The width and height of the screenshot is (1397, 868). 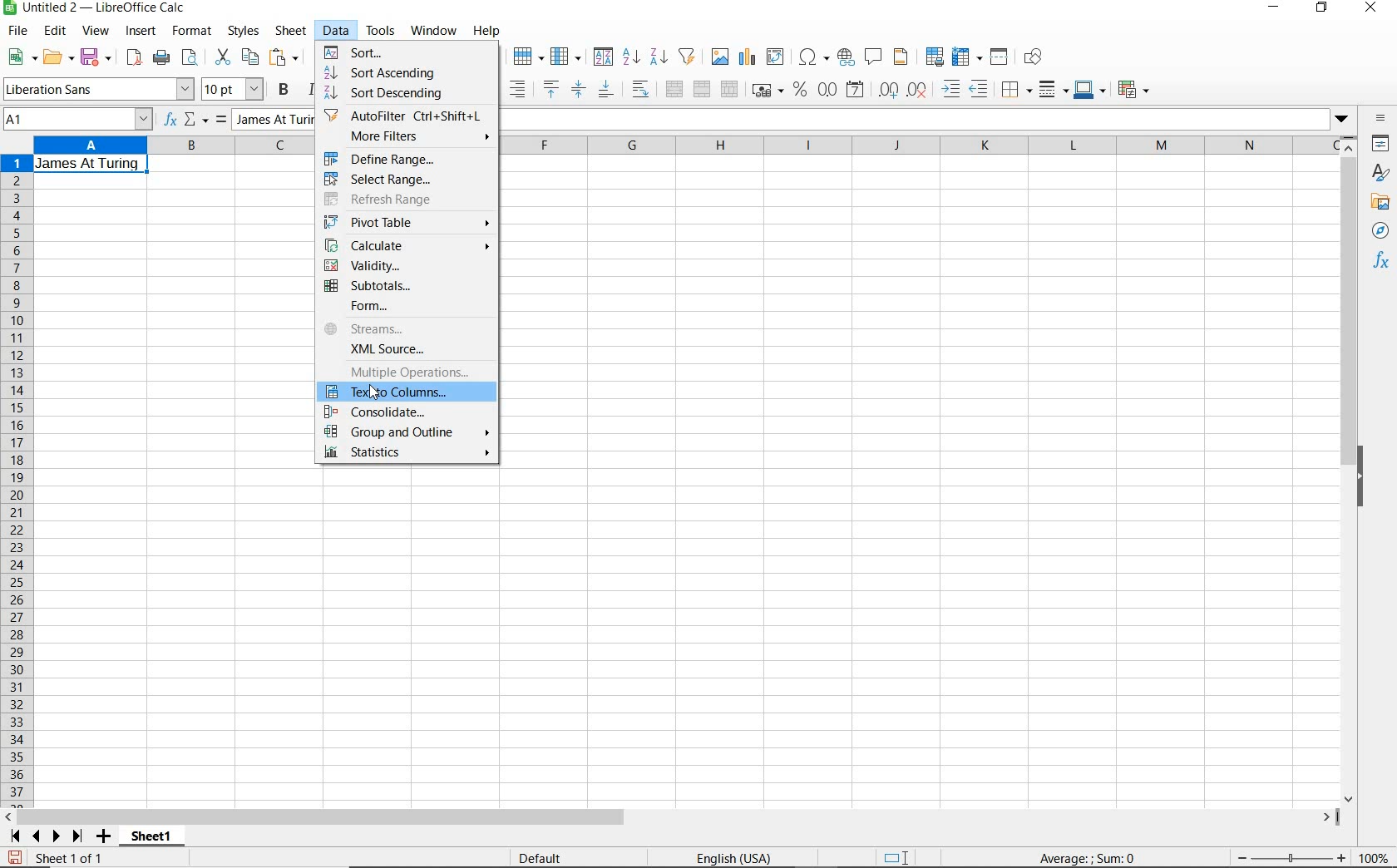 I want to click on validity, so click(x=407, y=266).